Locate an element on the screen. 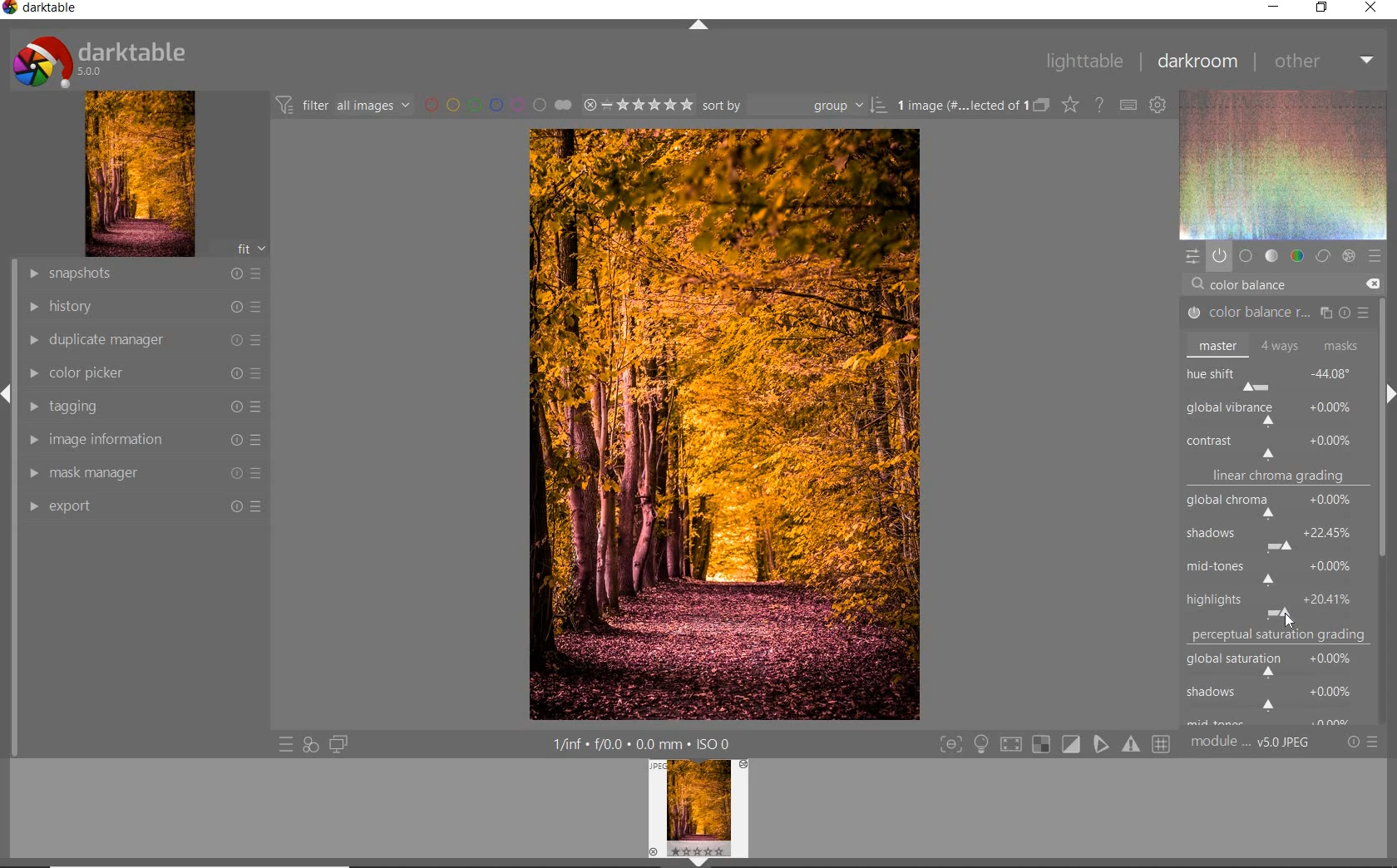  quick access for applying any style is located at coordinates (311, 745).